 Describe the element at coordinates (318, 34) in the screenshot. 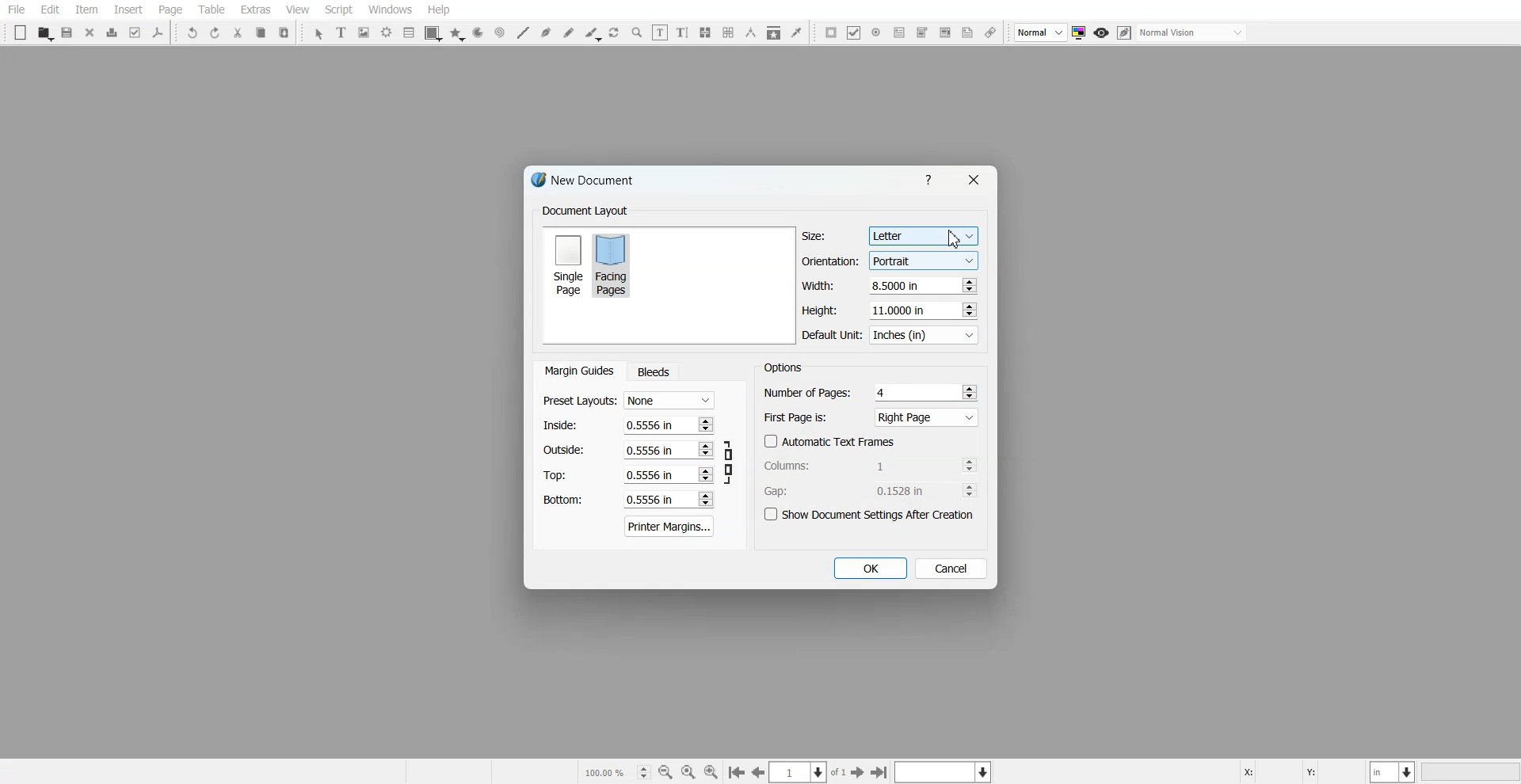

I see `Select Item` at that location.